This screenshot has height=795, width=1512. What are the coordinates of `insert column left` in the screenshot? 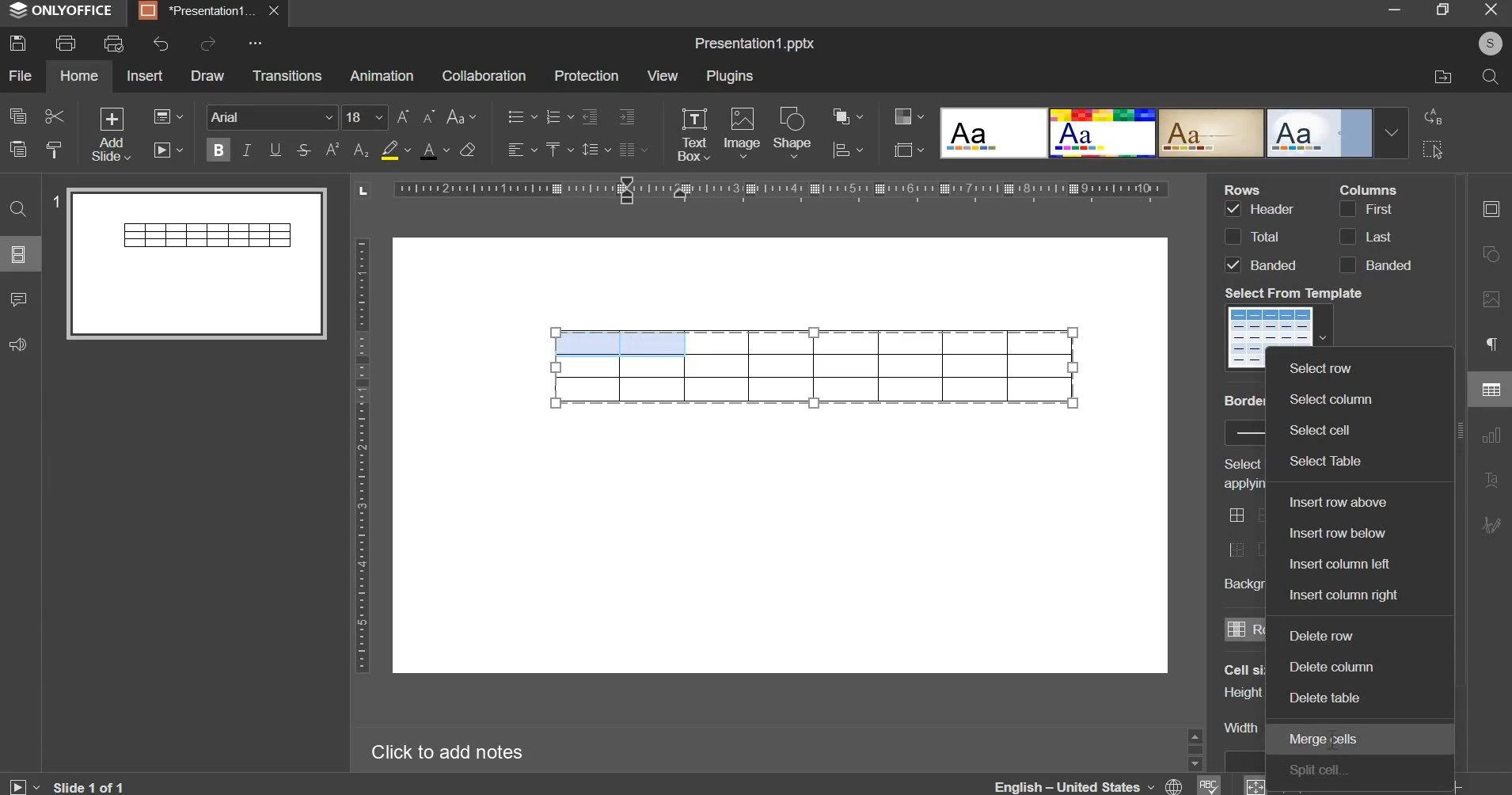 It's located at (1339, 564).